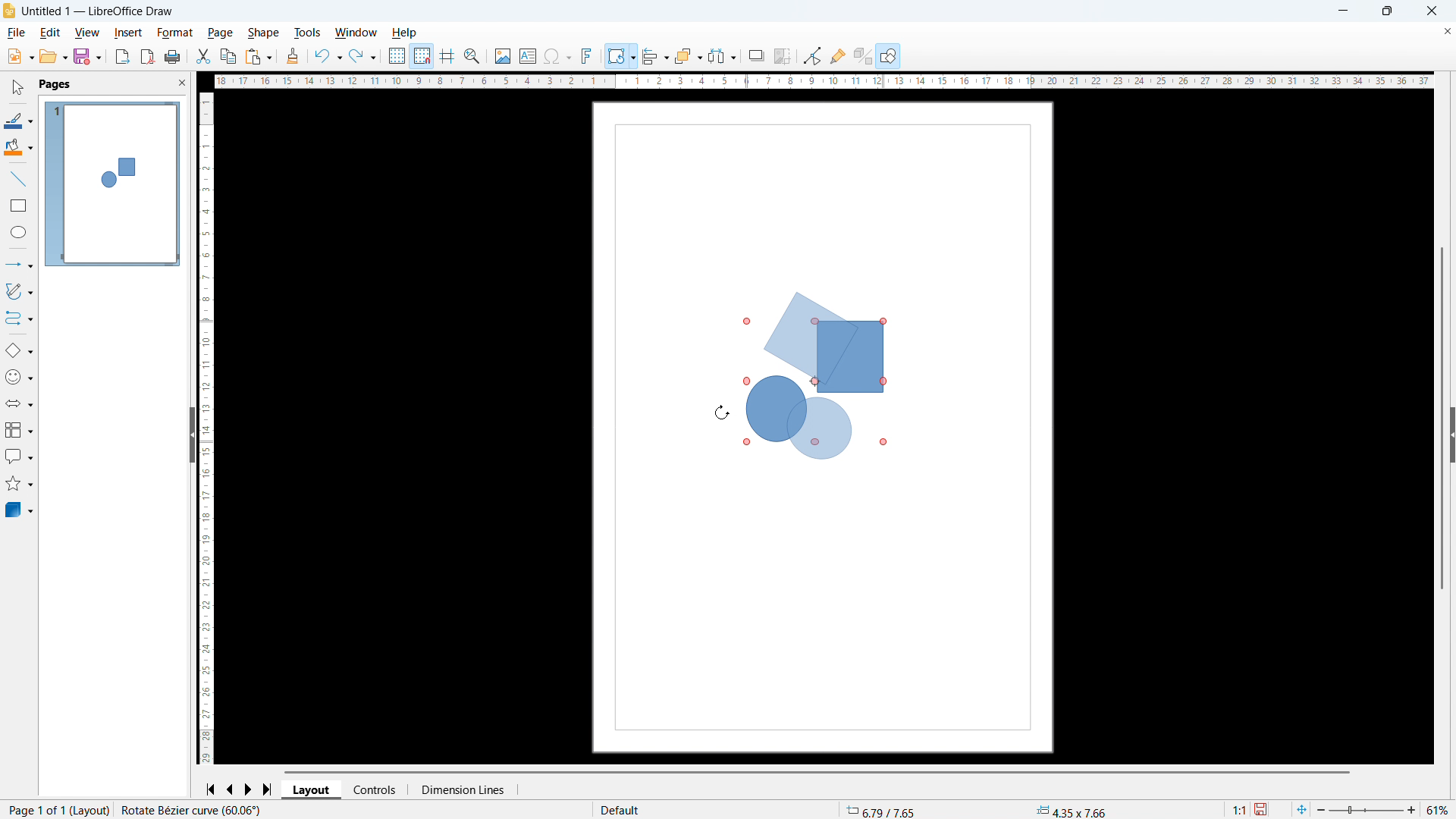 This screenshot has height=819, width=1456. What do you see at coordinates (1342, 11) in the screenshot?
I see `minimise ` at bounding box center [1342, 11].